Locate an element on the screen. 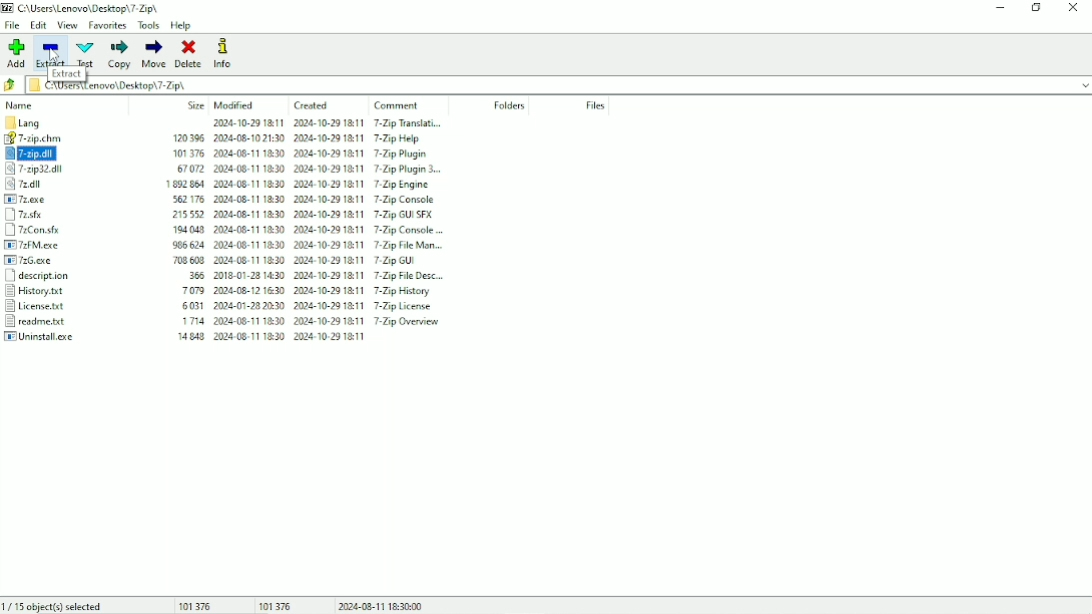  Back is located at coordinates (11, 85).